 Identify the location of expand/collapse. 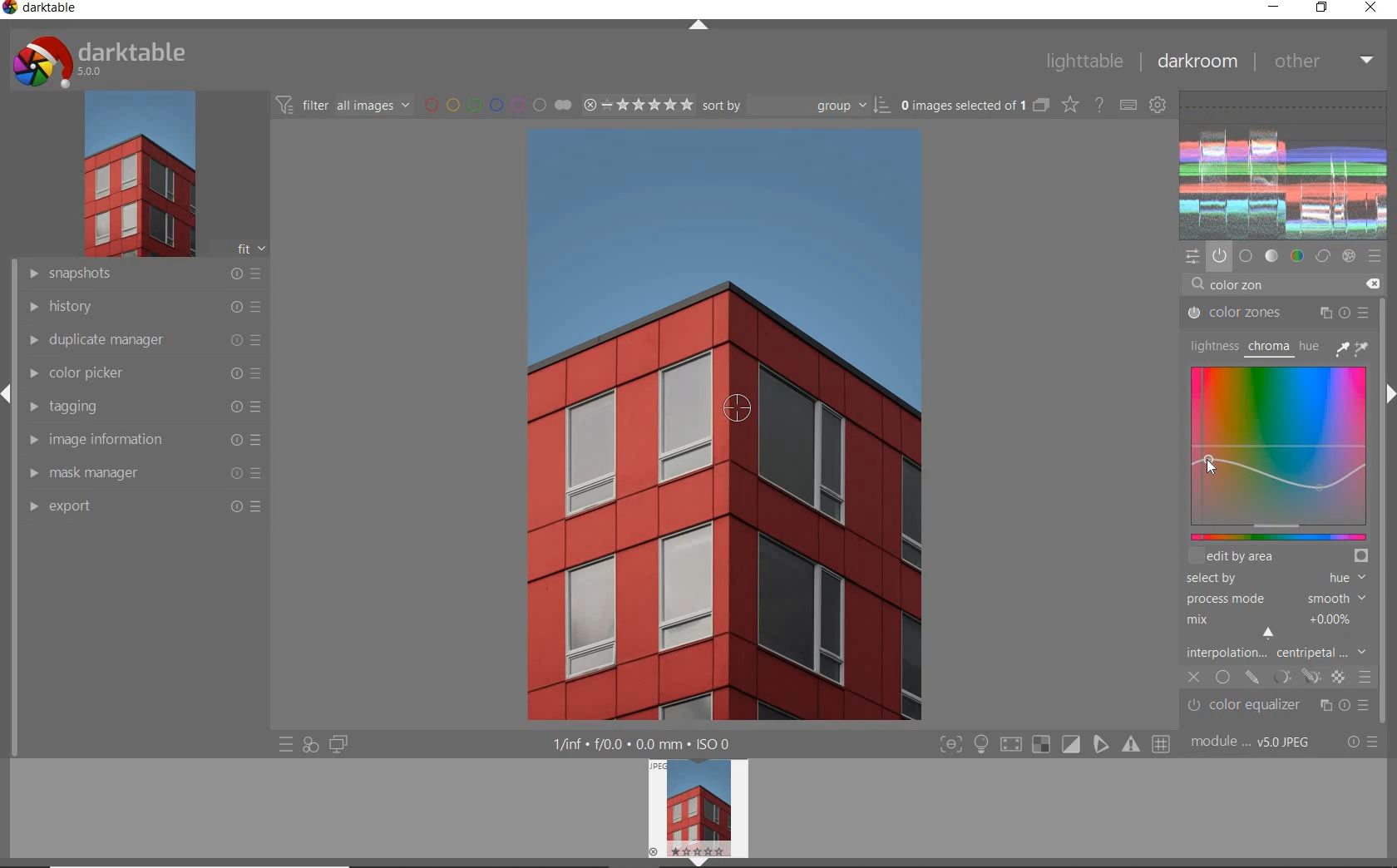
(8, 391).